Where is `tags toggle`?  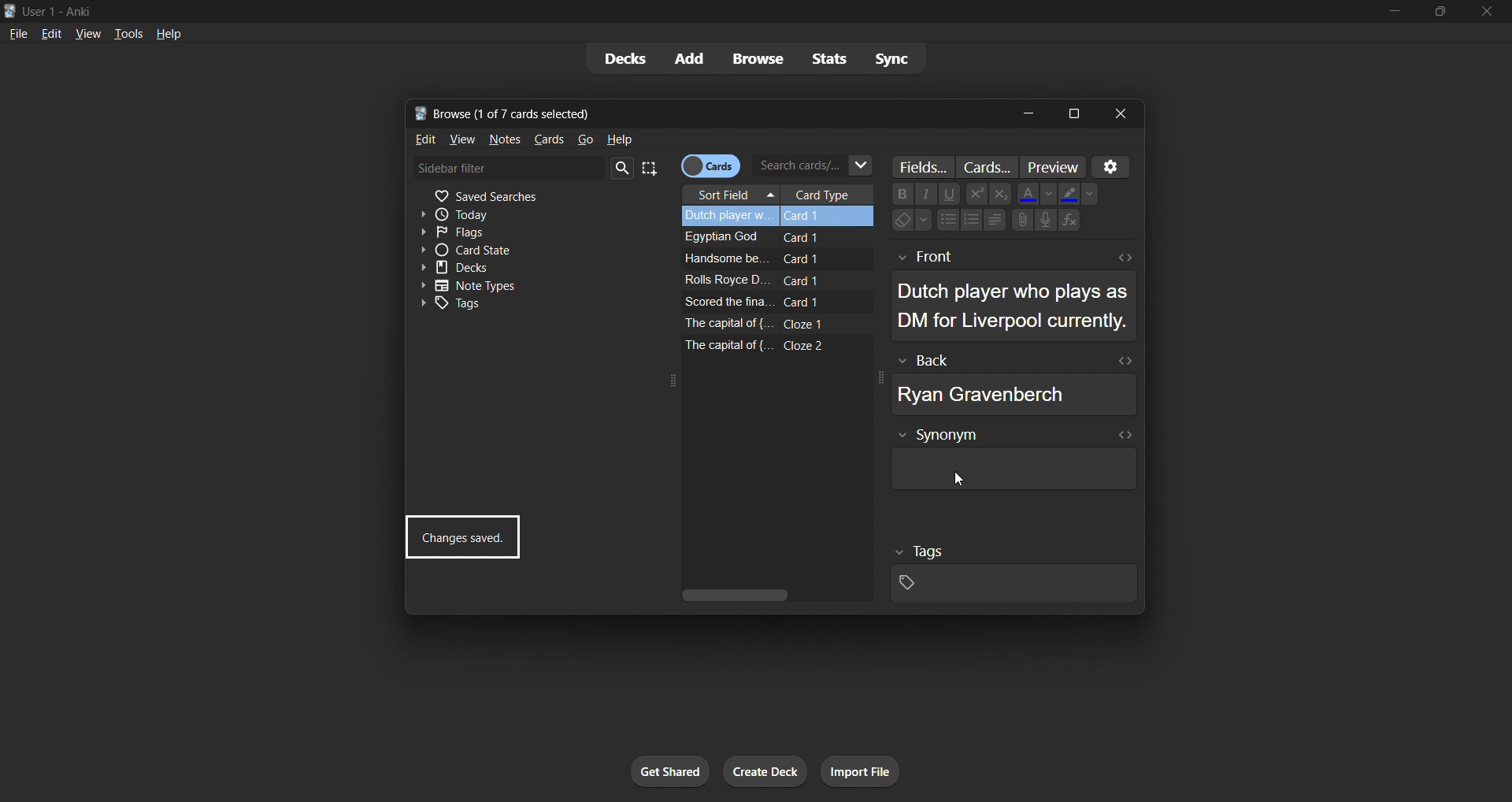 tags toggle is located at coordinates (506, 306).